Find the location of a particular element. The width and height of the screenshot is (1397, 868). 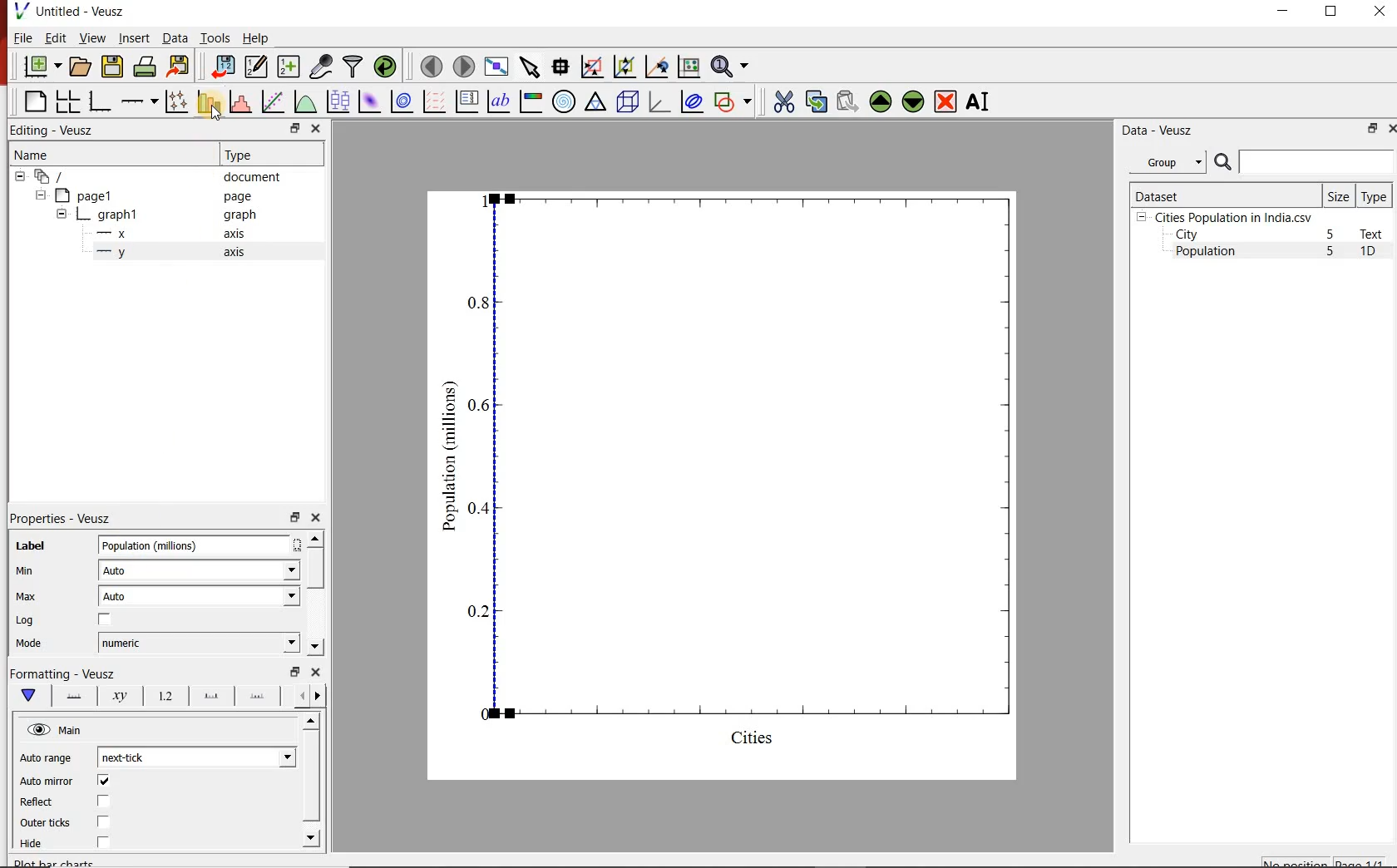

add a shape to the plot is located at coordinates (733, 101).